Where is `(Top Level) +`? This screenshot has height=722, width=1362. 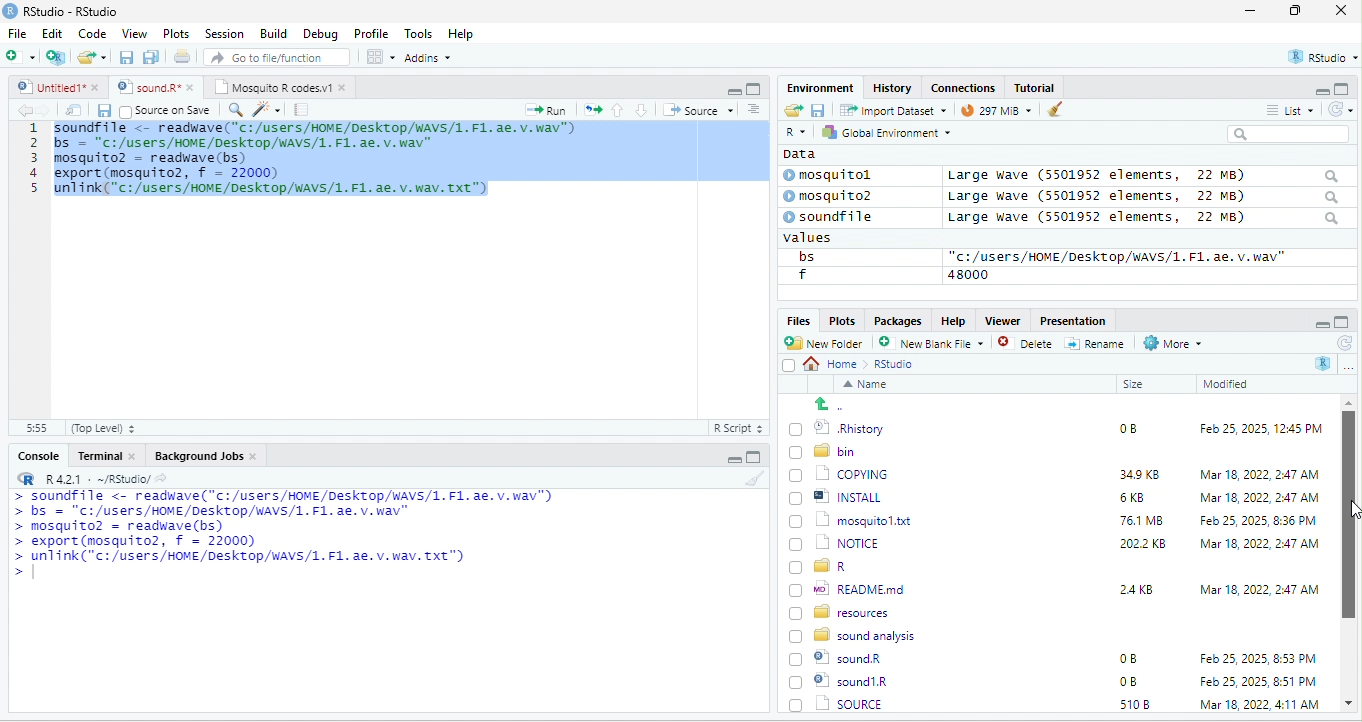
(Top Level) + is located at coordinates (103, 428).